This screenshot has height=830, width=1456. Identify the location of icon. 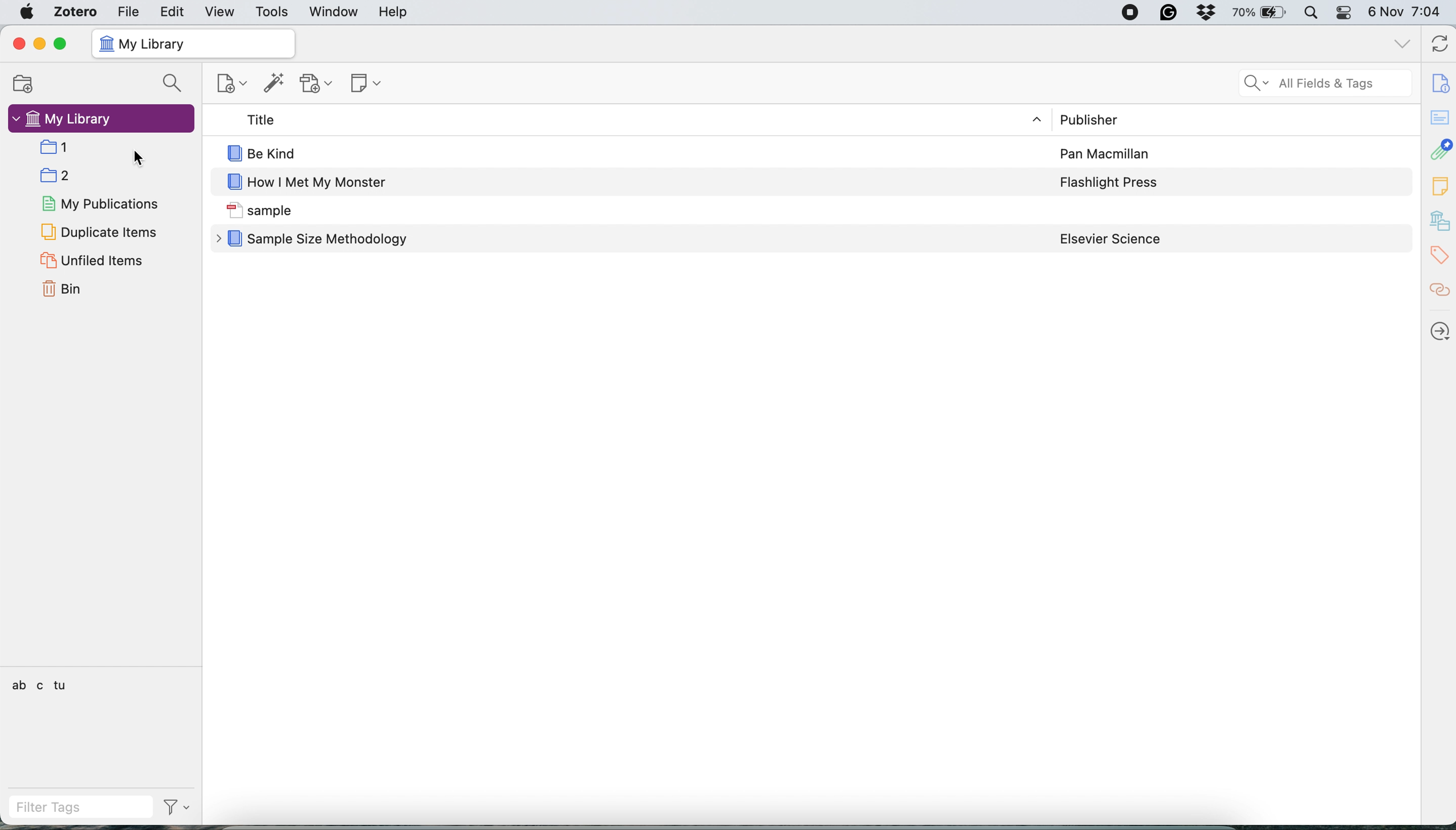
(234, 239).